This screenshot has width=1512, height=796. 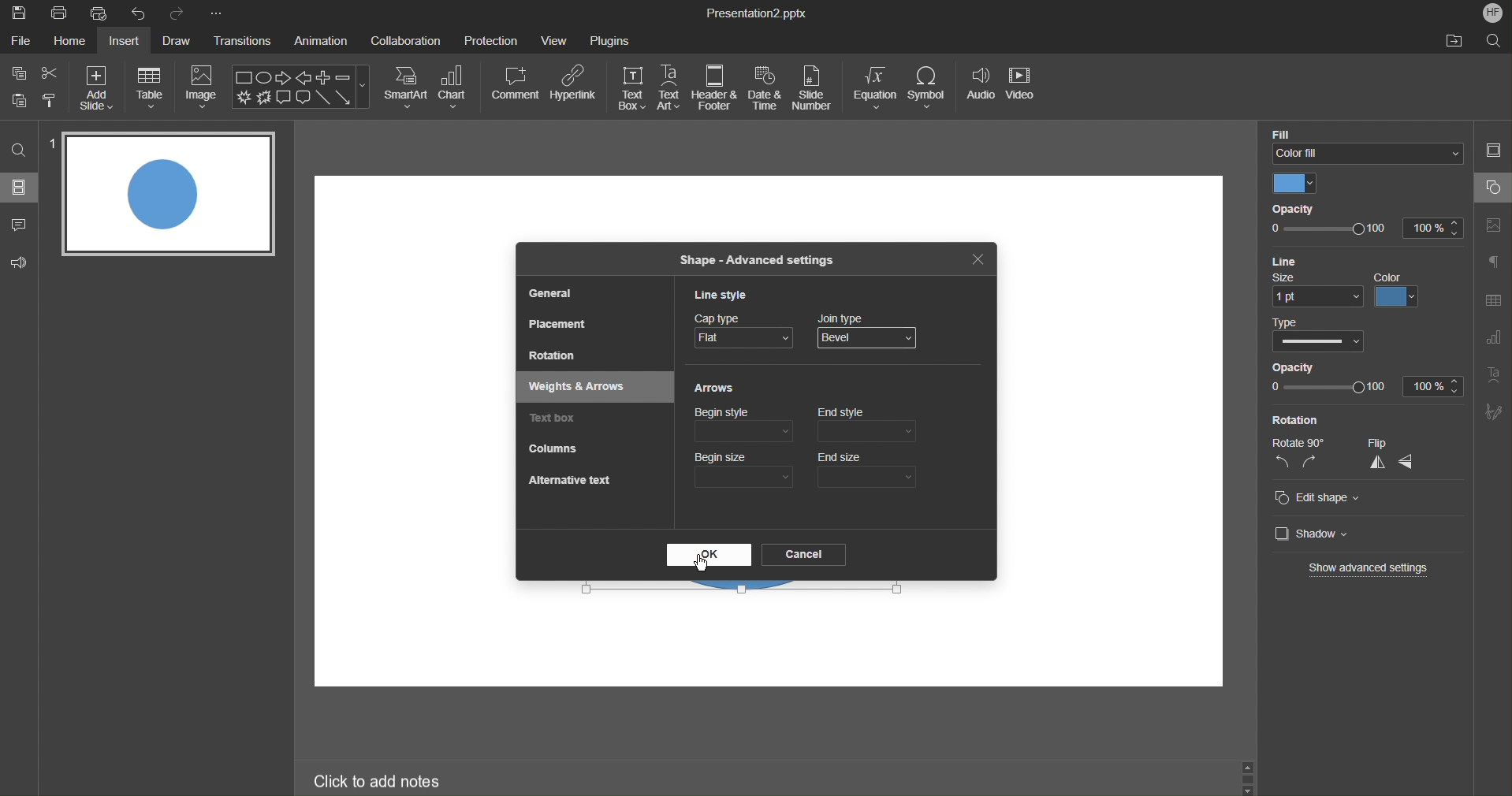 I want to click on end style, so click(x=866, y=420).